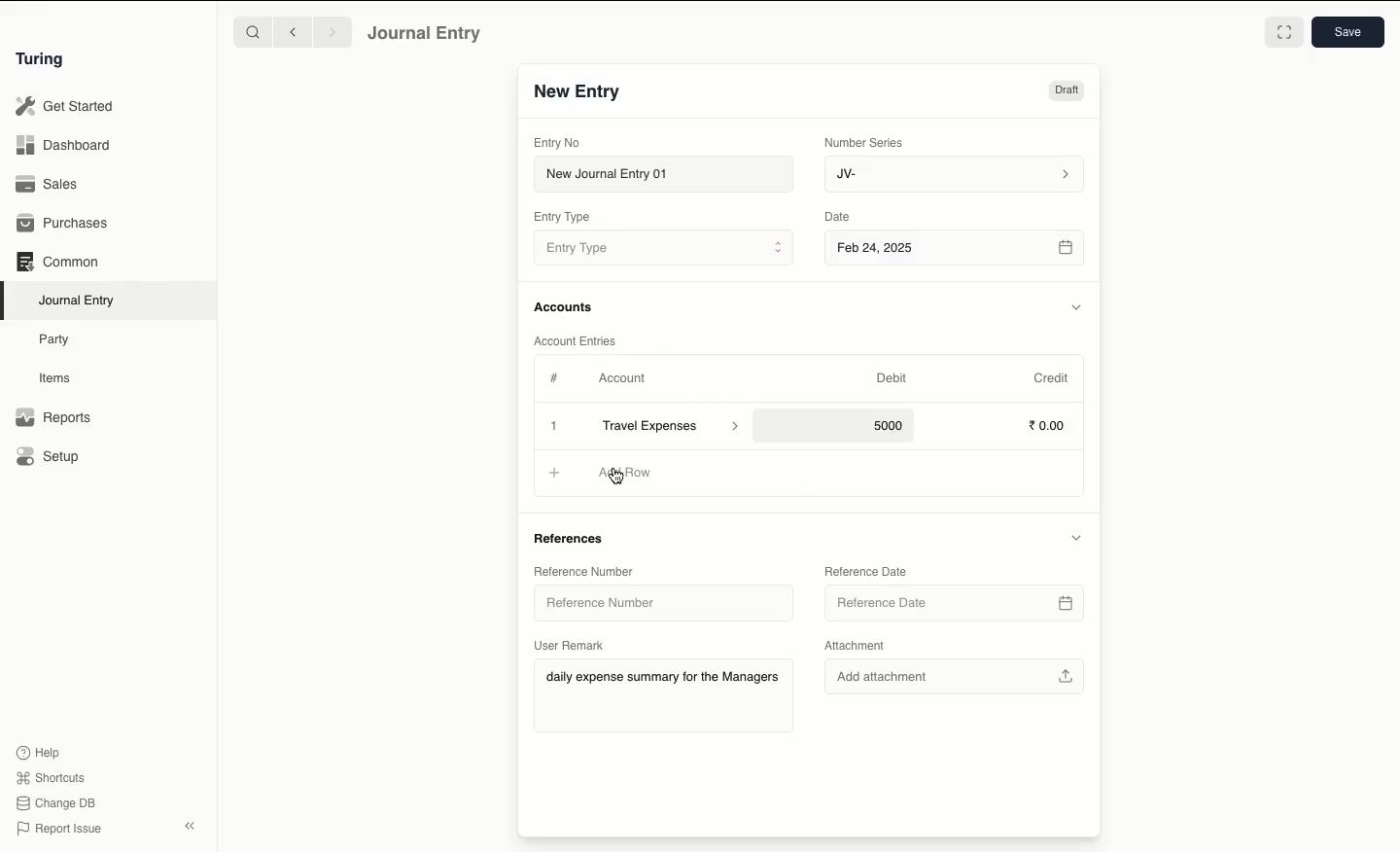  I want to click on Turing, so click(44, 60).